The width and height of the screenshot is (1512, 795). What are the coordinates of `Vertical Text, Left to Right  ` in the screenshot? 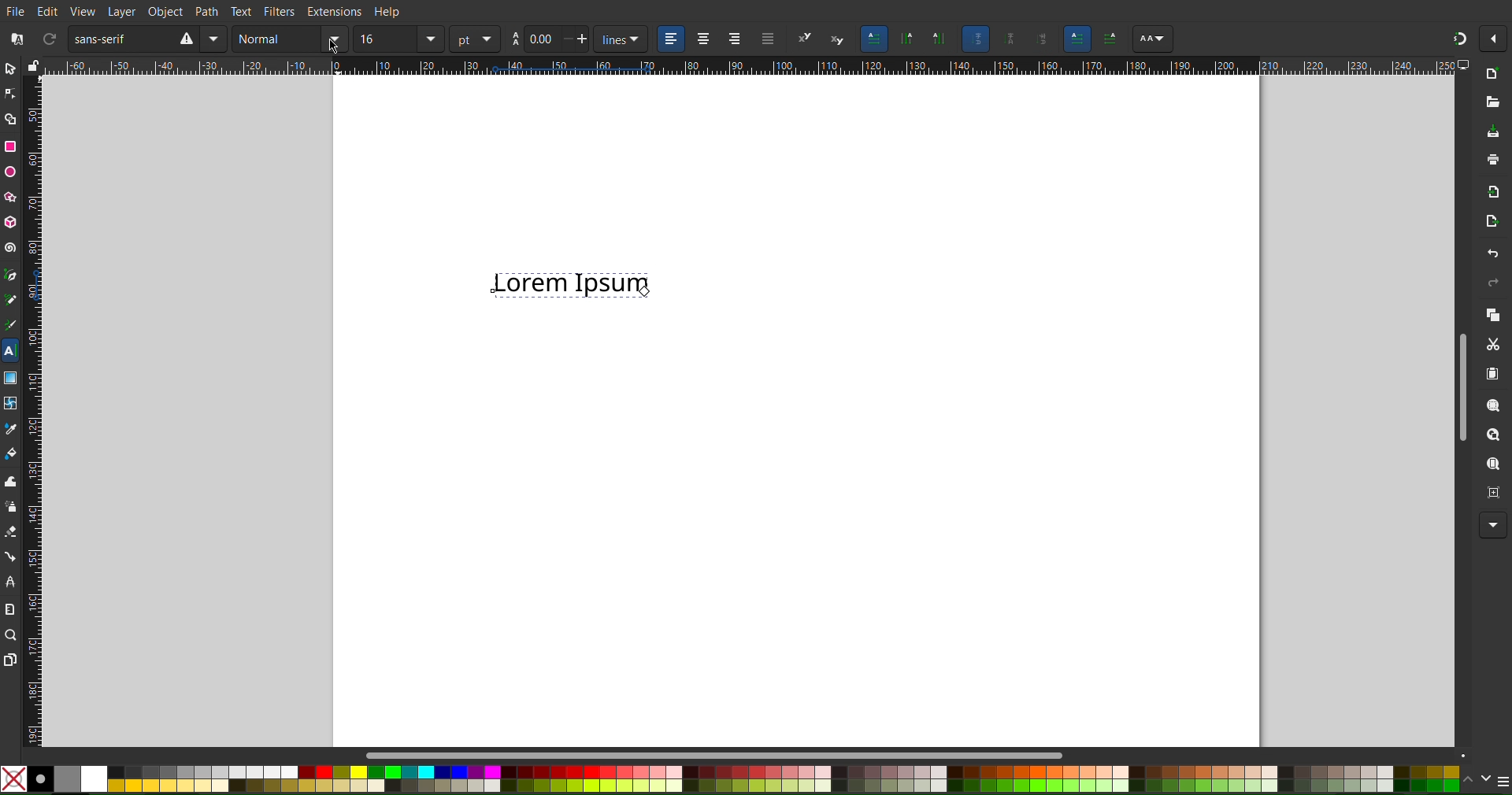 It's located at (938, 40).